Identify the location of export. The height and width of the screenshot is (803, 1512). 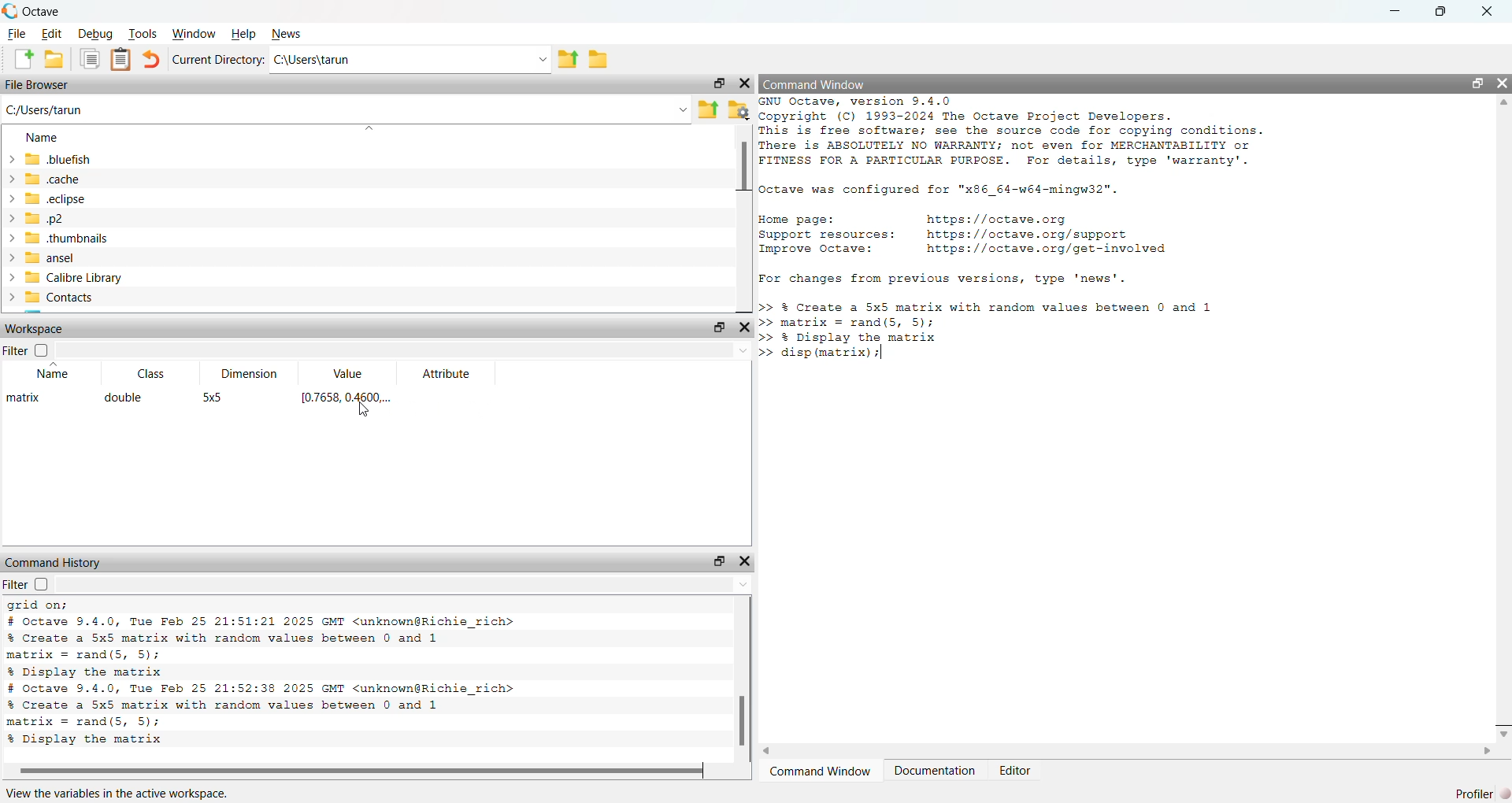
(569, 59).